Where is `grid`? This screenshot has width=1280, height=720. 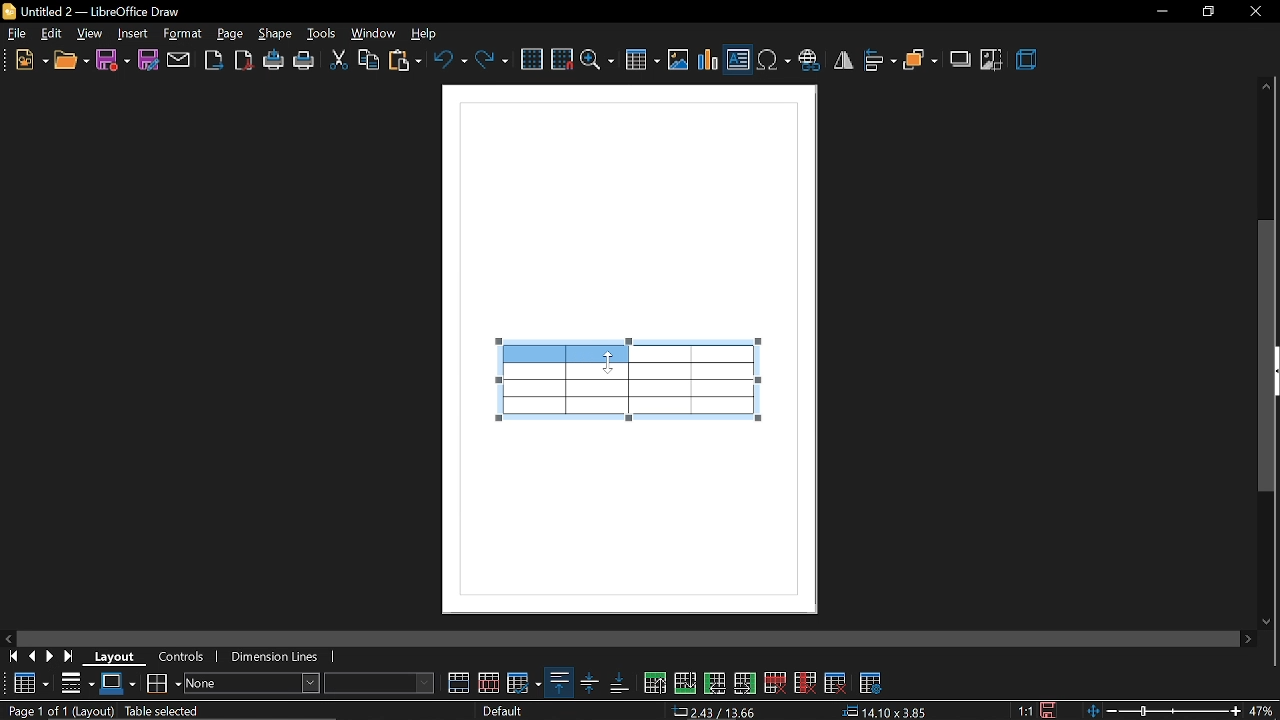
grid is located at coordinates (533, 60).